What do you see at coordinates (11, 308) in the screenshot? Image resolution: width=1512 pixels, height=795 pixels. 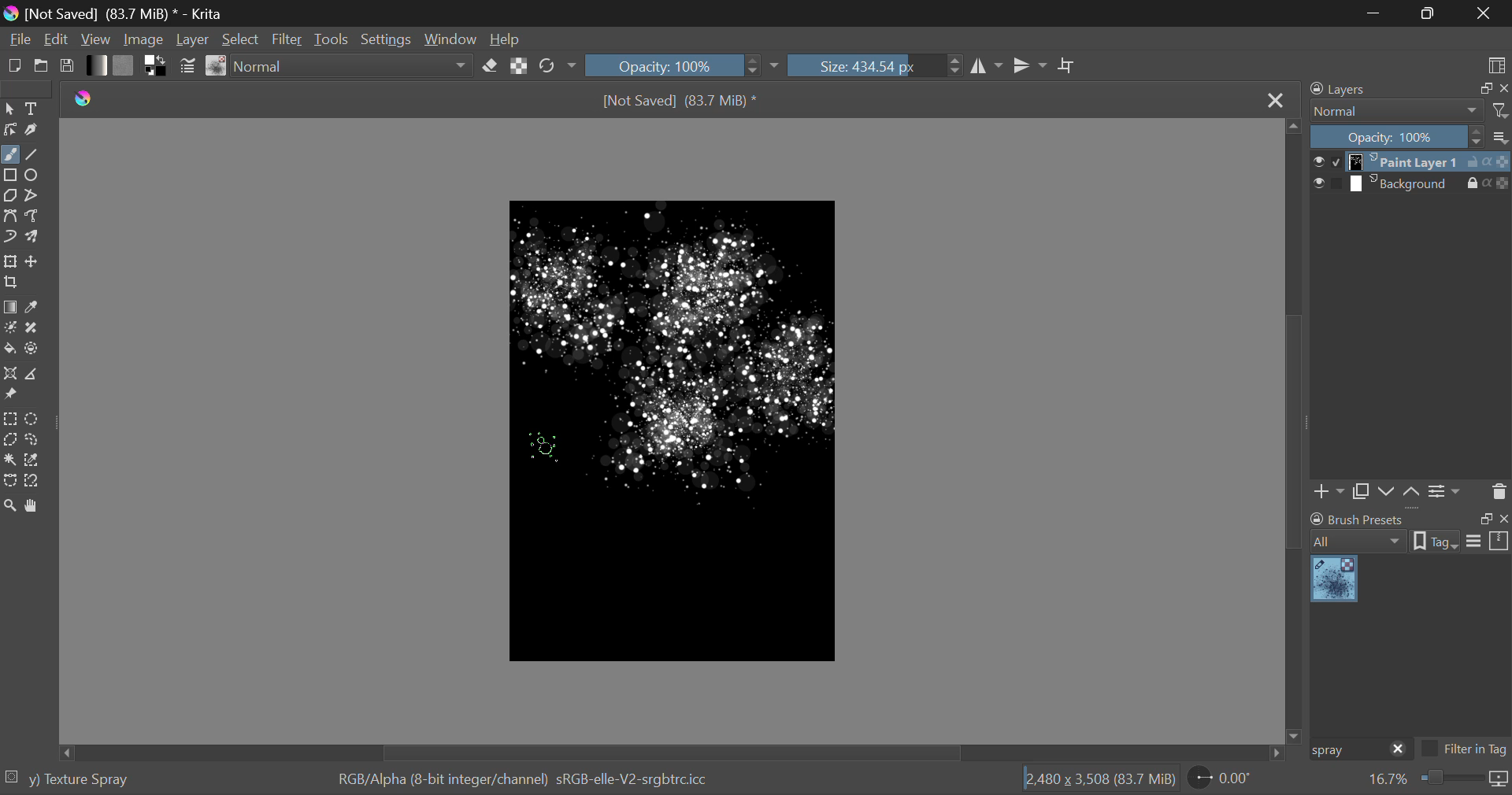 I see `Gradient Fill` at bounding box center [11, 308].